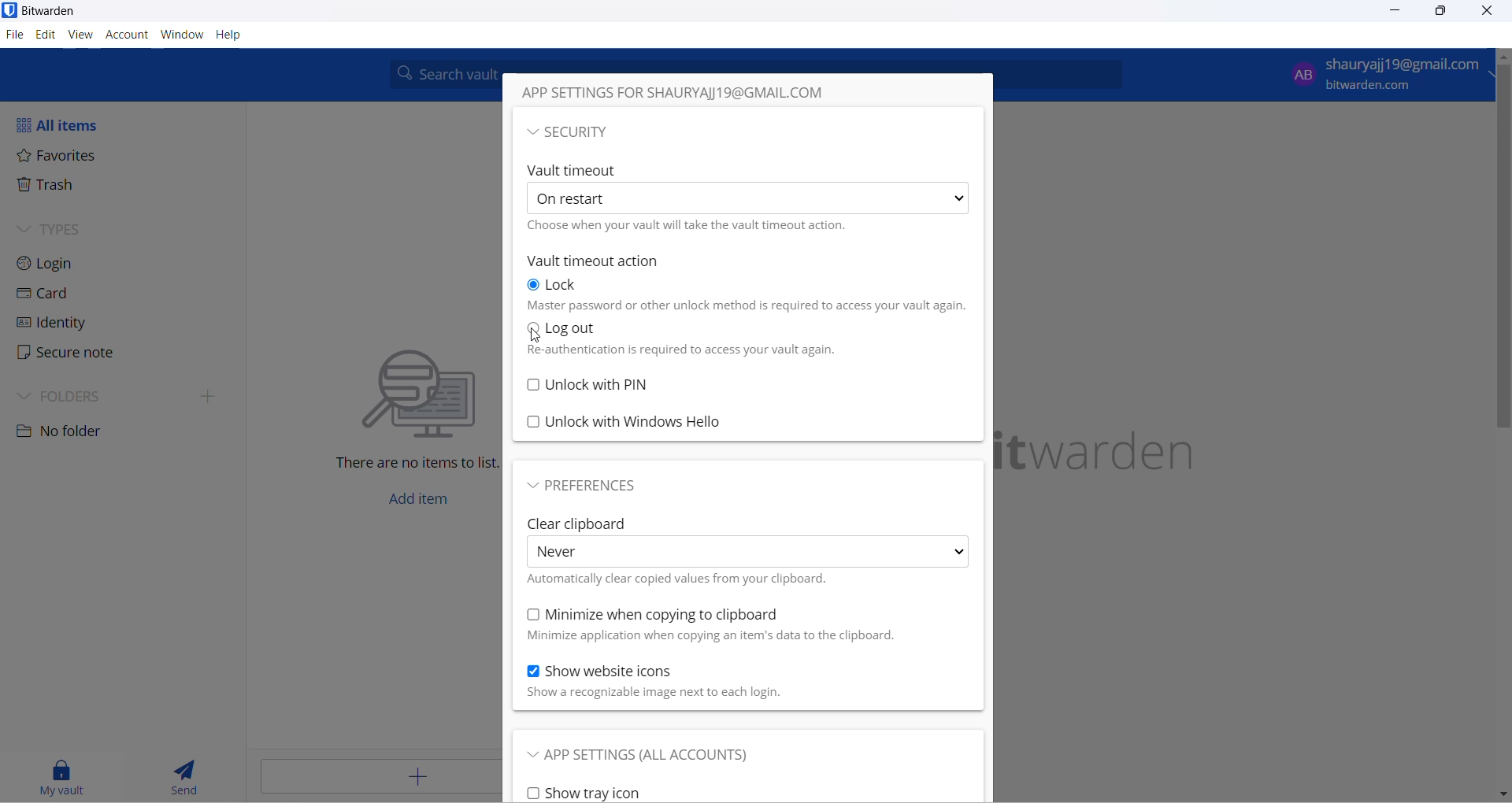  What do you see at coordinates (588, 487) in the screenshot?
I see `preferences button` at bounding box center [588, 487].